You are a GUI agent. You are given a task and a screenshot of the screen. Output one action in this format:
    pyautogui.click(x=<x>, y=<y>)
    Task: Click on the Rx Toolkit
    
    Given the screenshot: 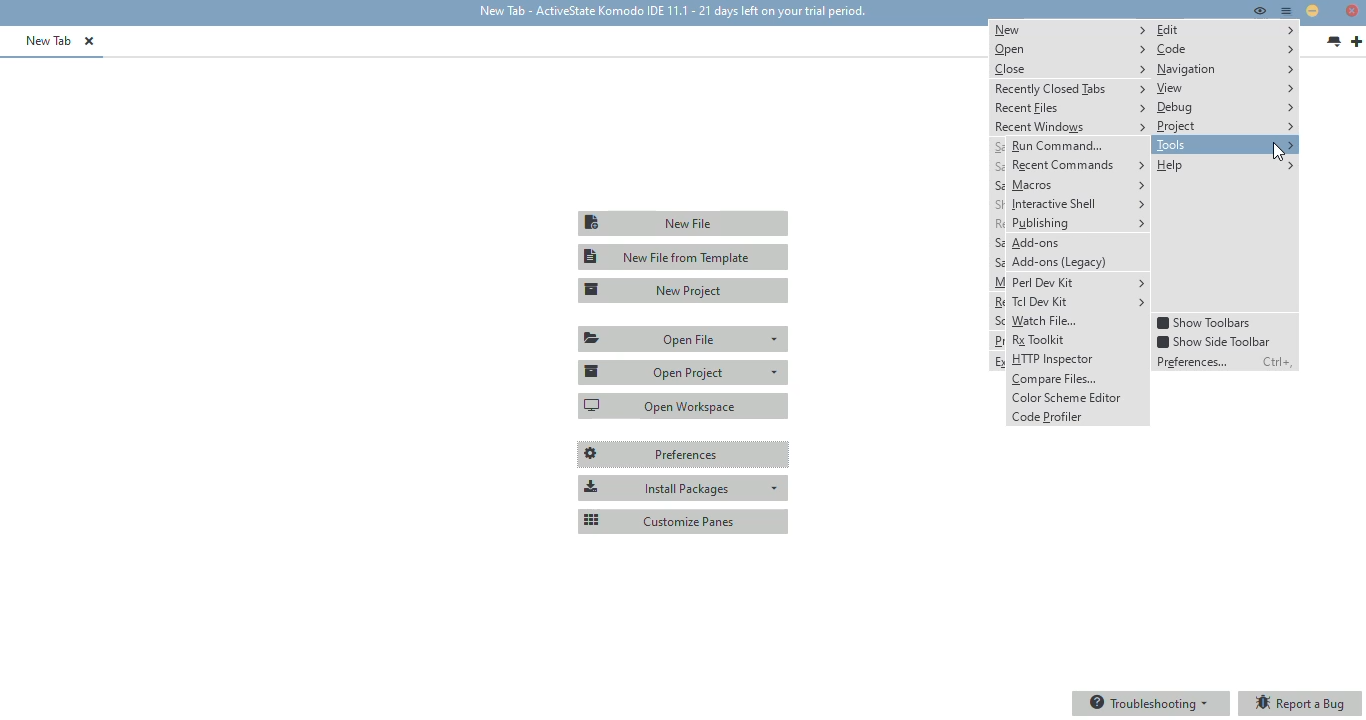 What is the action you would take?
    pyautogui.click(x=1078, y=340)
    